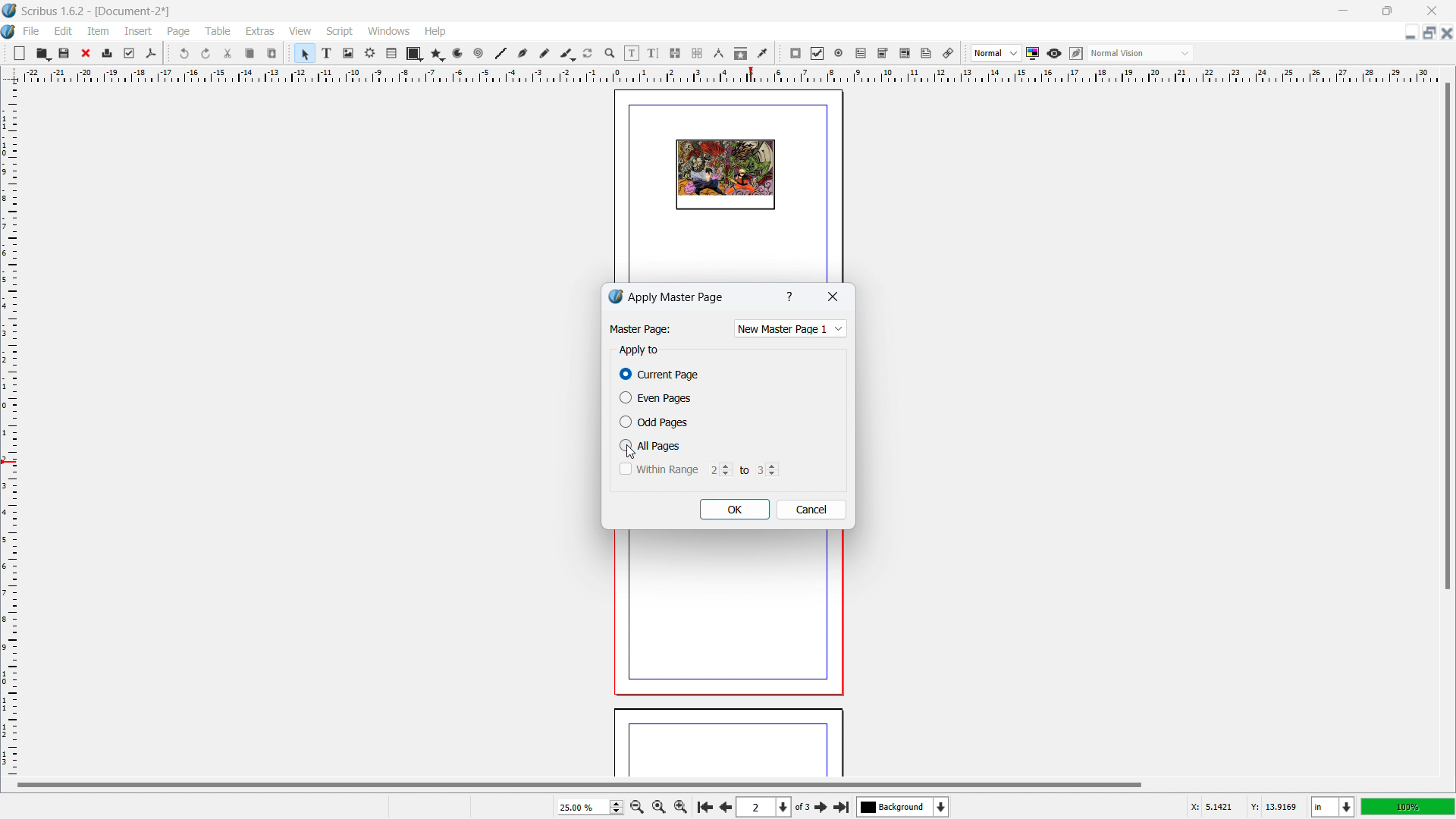  What do you see at coordinates (180, 32) in the screenshot?
I see `page` at bounding box center [180, 32].